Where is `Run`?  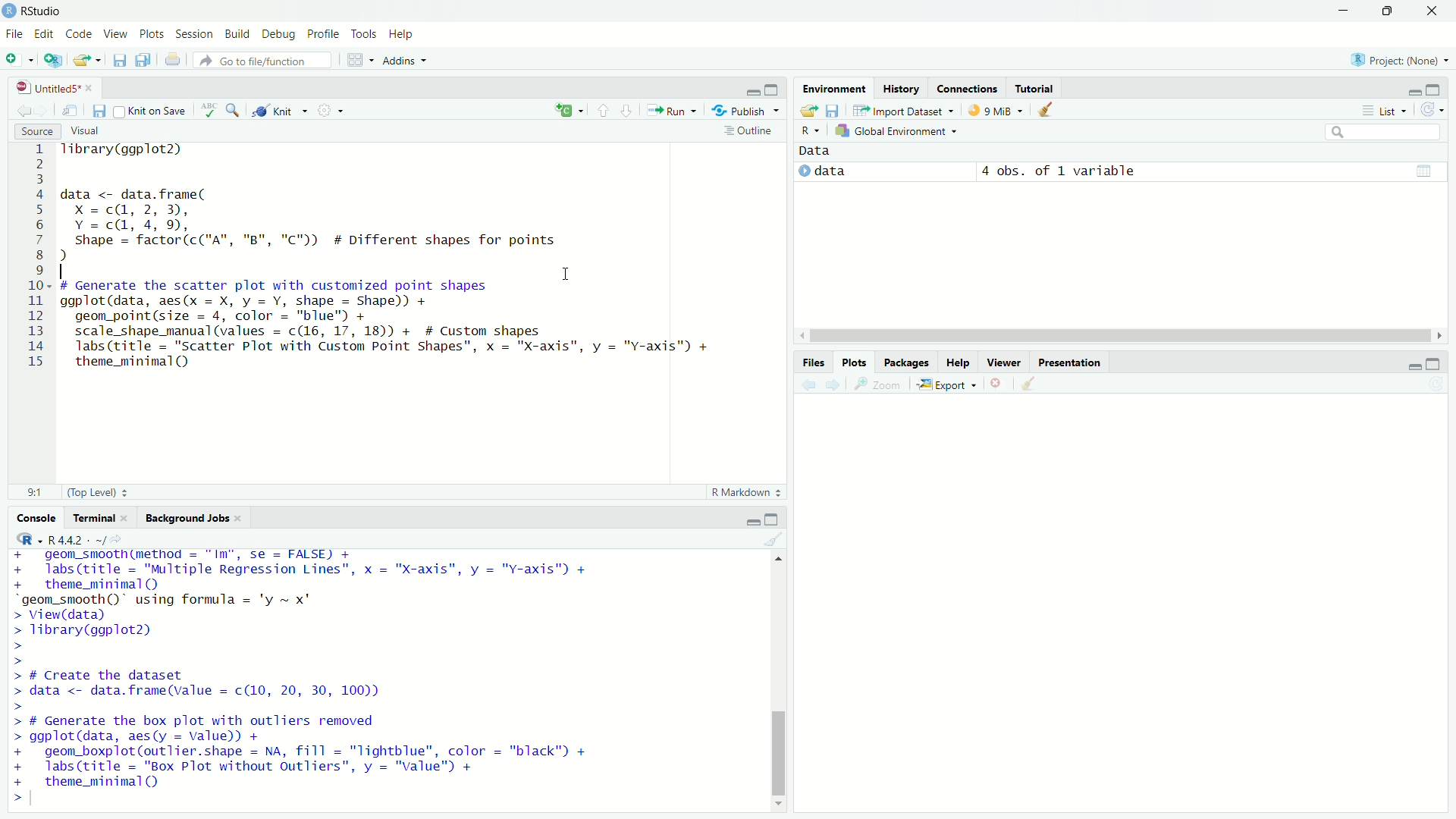 Run is located at coordinates (672, 111).